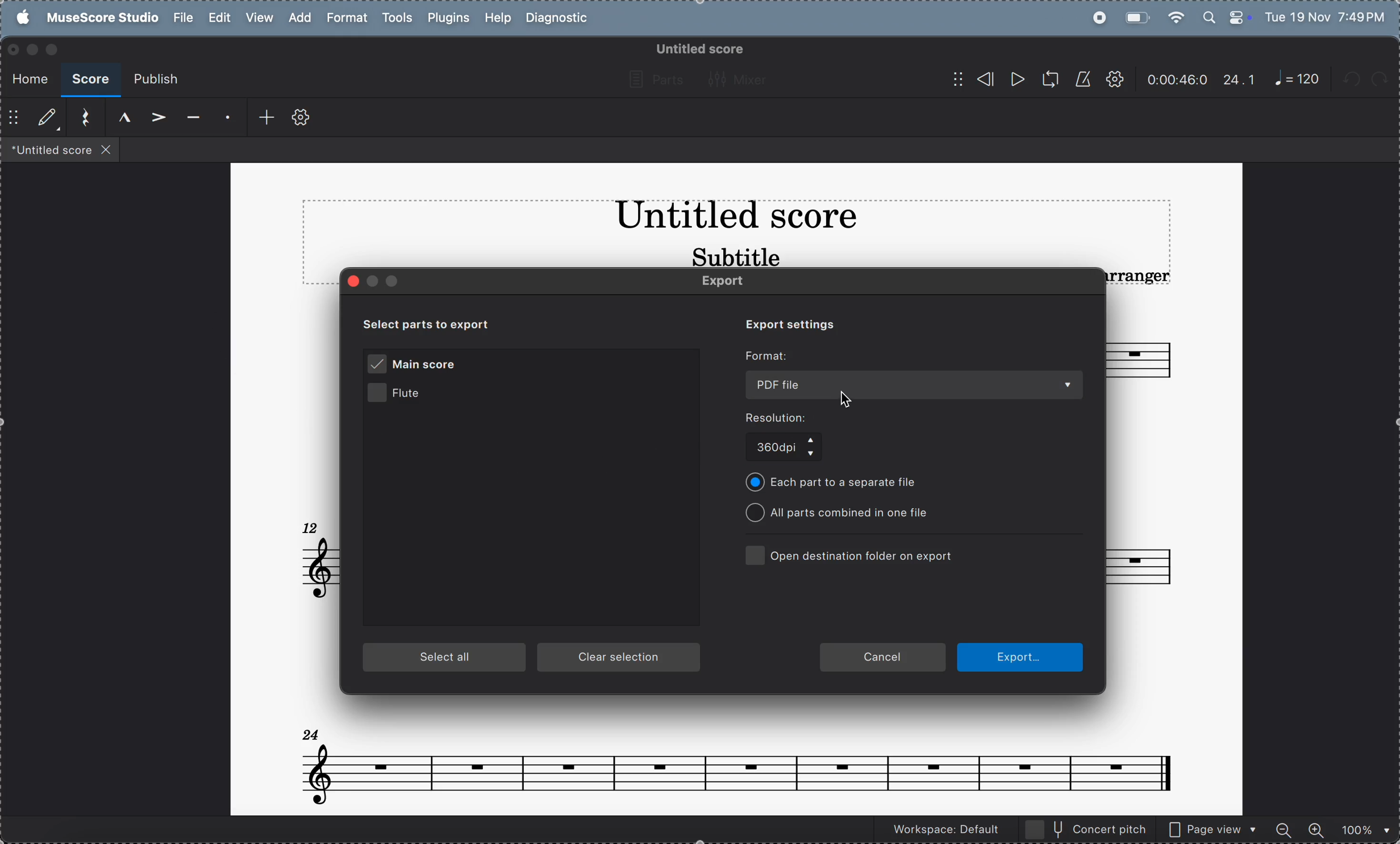 The width and height of the screenshot is (1400, 844). Describe the element at coordinates (840, 396) in the screenshot. I see `cursor` at that location.